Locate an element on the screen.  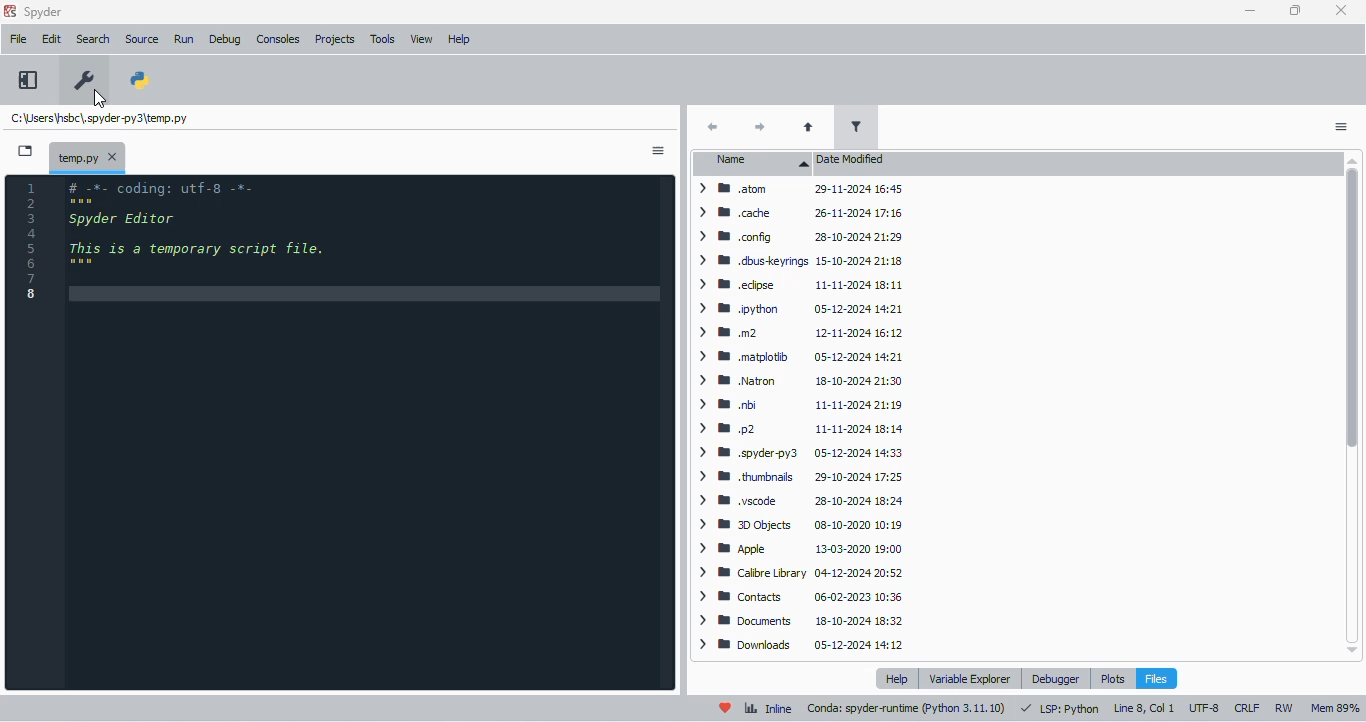
> BB Documents 18-10-2024 18:32 is located at coordinates (798, 618).